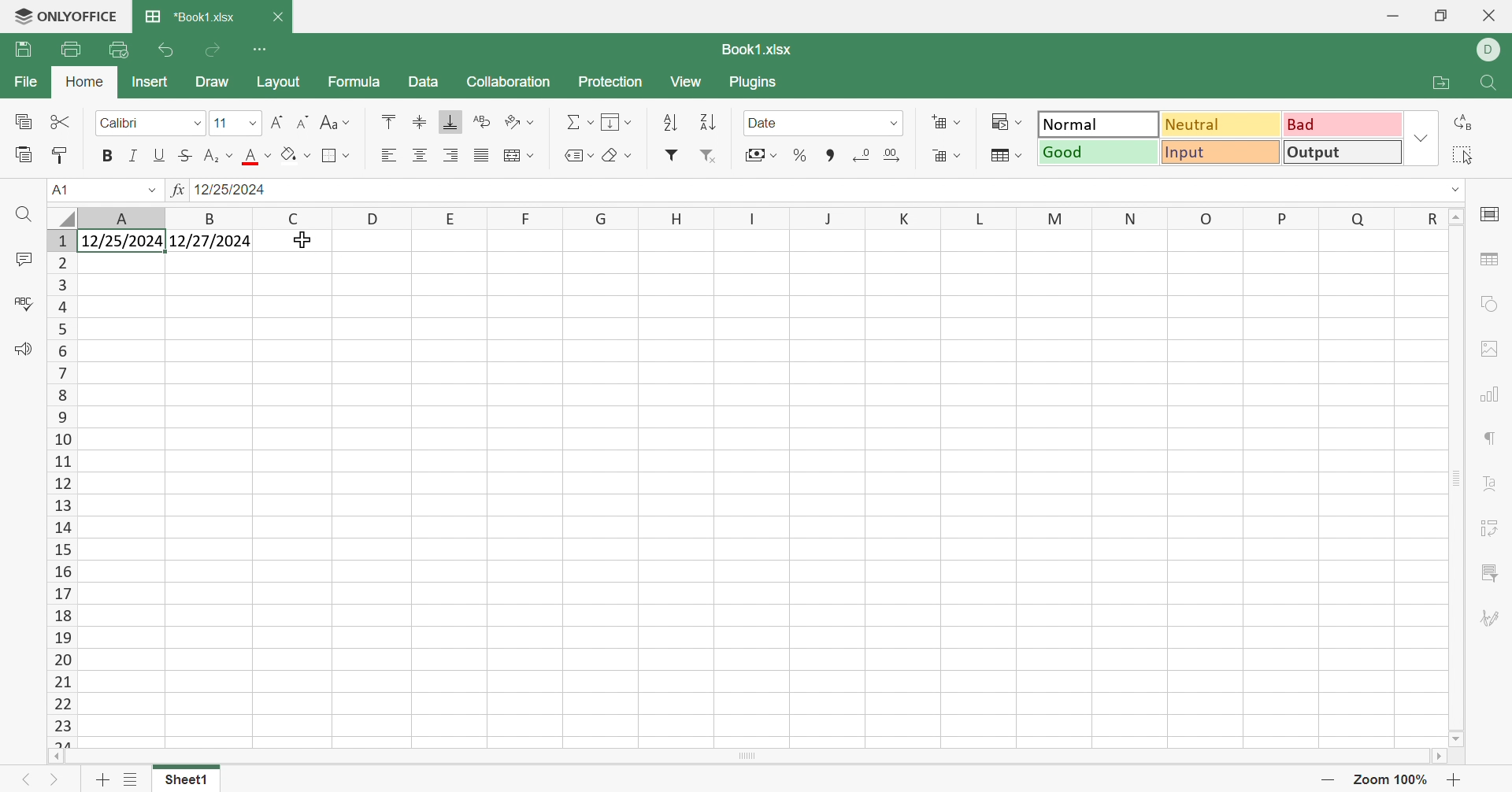 The image size is (1512, 792). What do you see at coordinates (1004, 157) in the screenshot?
I see `Format table as template` at bounding box center [1004, 157].